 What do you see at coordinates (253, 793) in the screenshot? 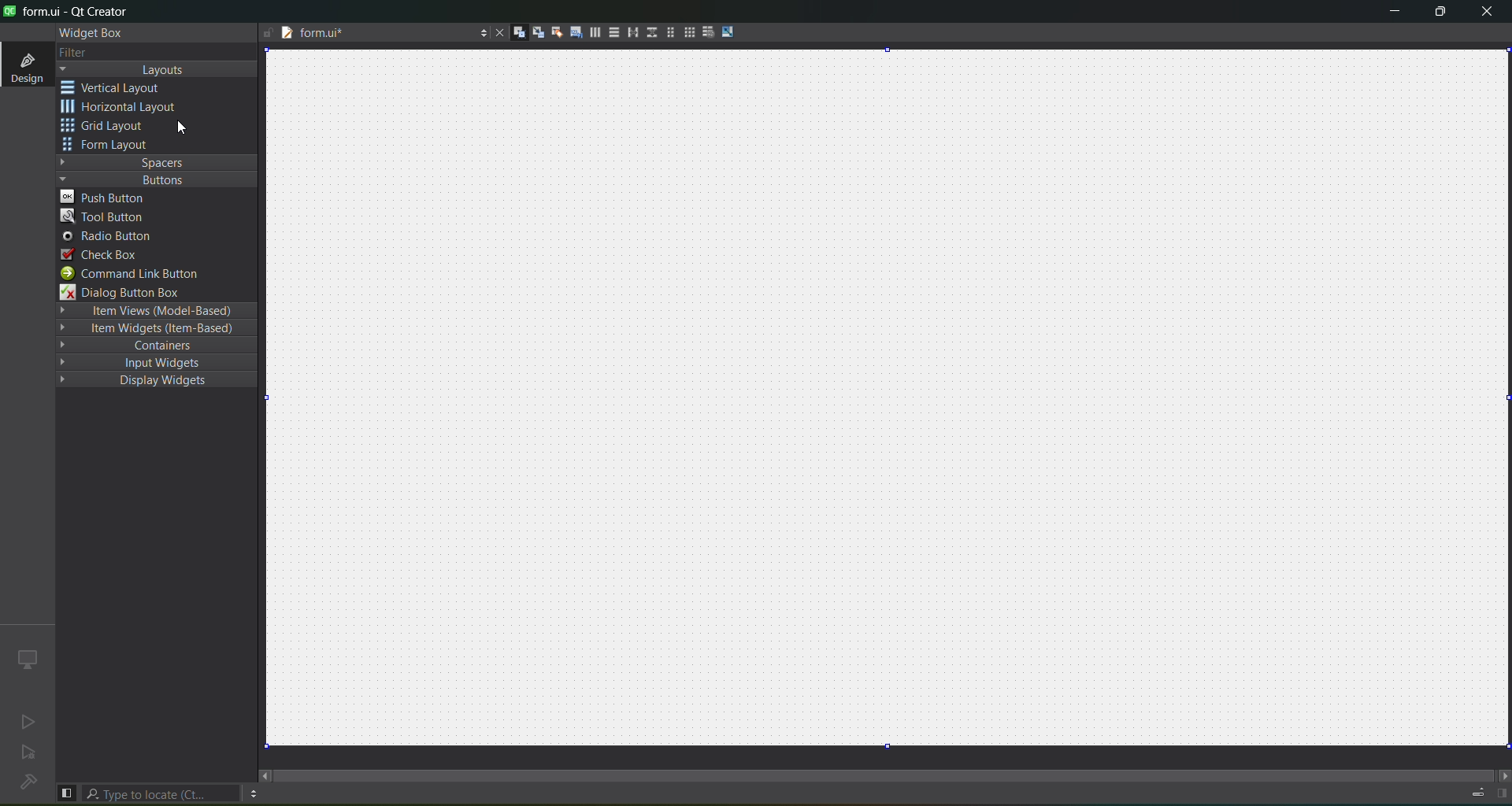
I see `options` at bounding box center [253, 793].